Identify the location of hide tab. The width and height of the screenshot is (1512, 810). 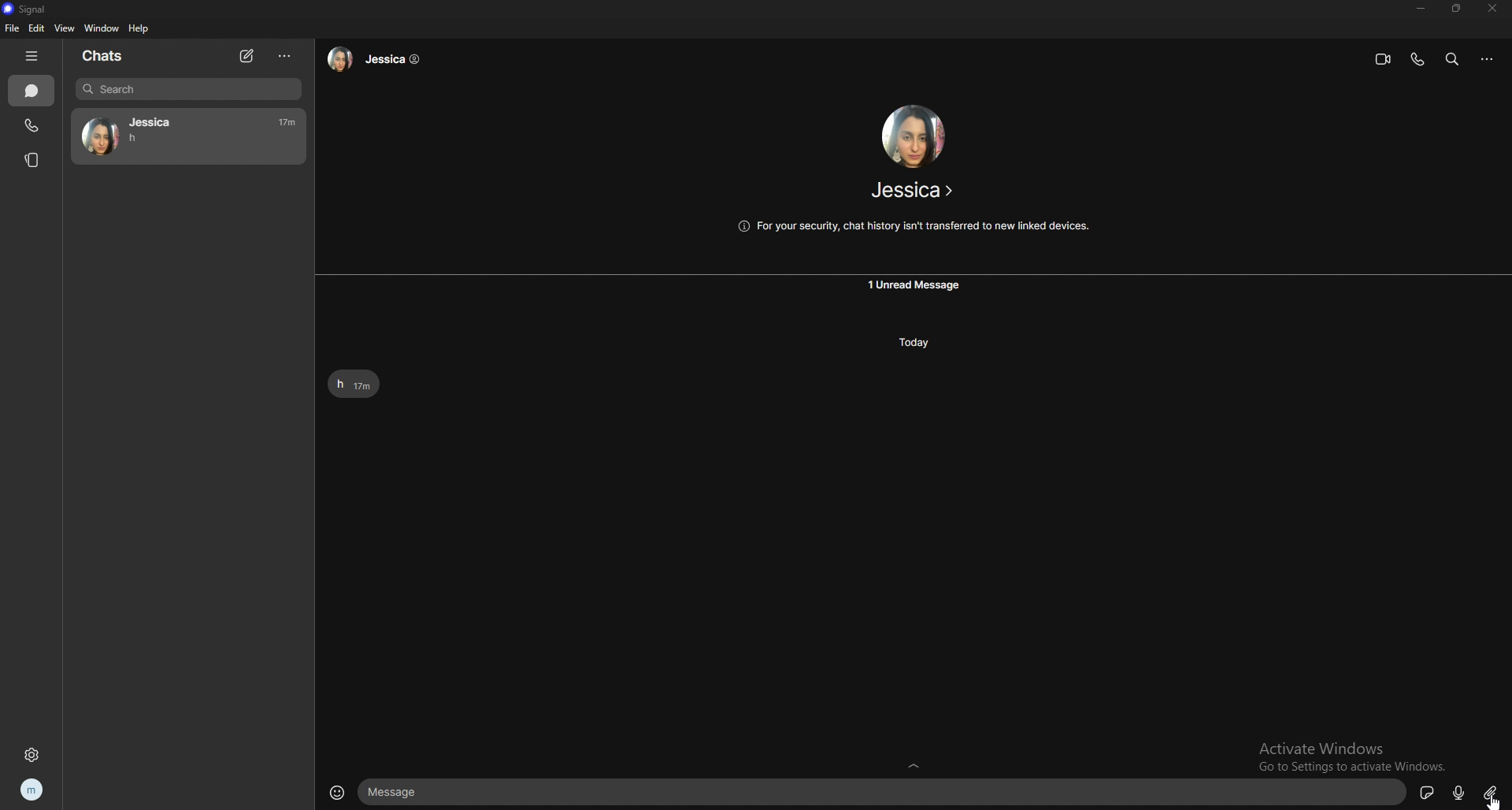
(31, 56).